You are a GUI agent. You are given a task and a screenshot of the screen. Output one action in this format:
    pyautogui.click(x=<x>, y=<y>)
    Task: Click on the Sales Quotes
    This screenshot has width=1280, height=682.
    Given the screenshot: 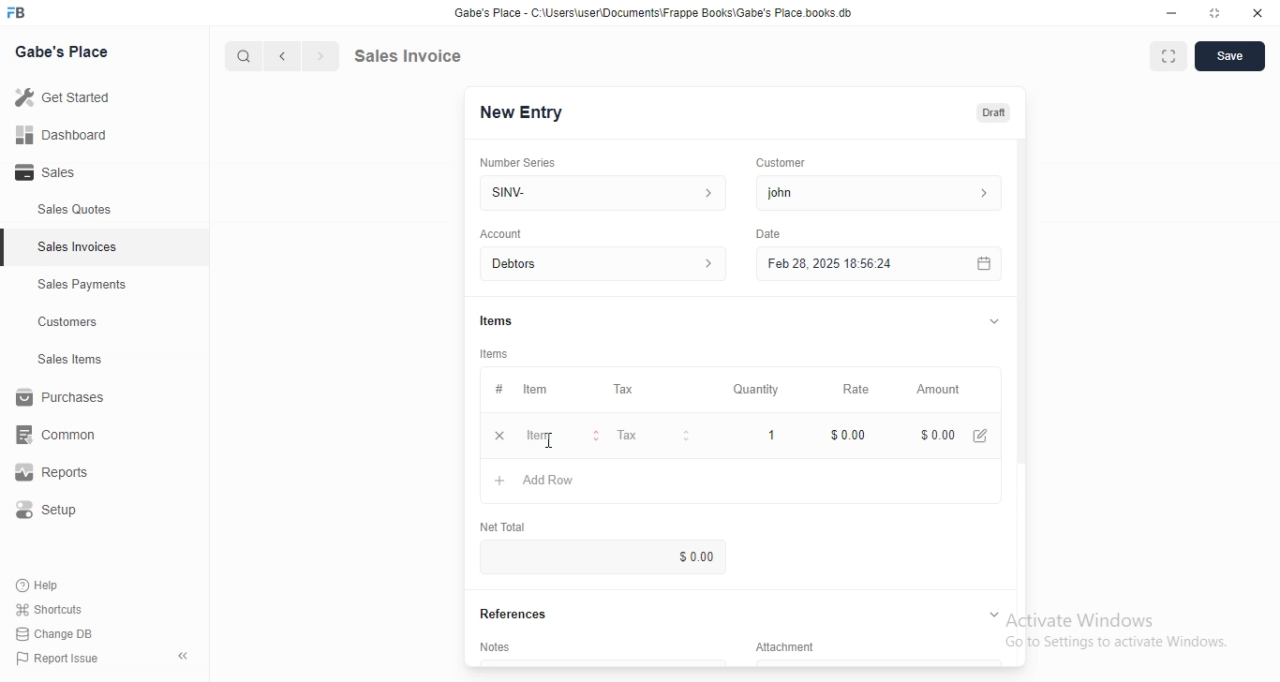 What is the action you would take?
    pyautogui.click(x=64, y=210)
    